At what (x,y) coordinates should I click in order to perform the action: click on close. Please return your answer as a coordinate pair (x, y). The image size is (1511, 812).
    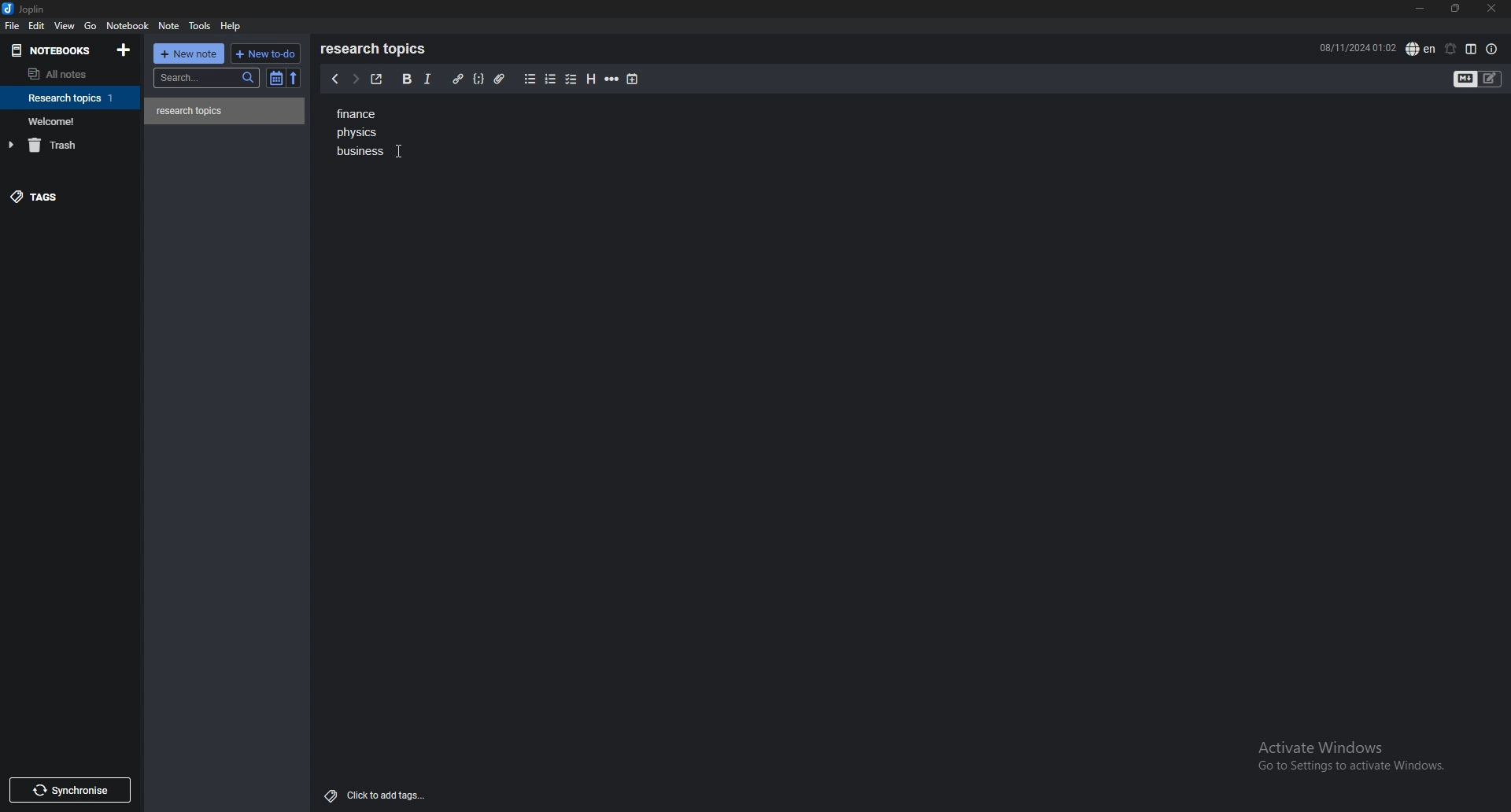
    Looking at the image, I should click on (1491, 9).